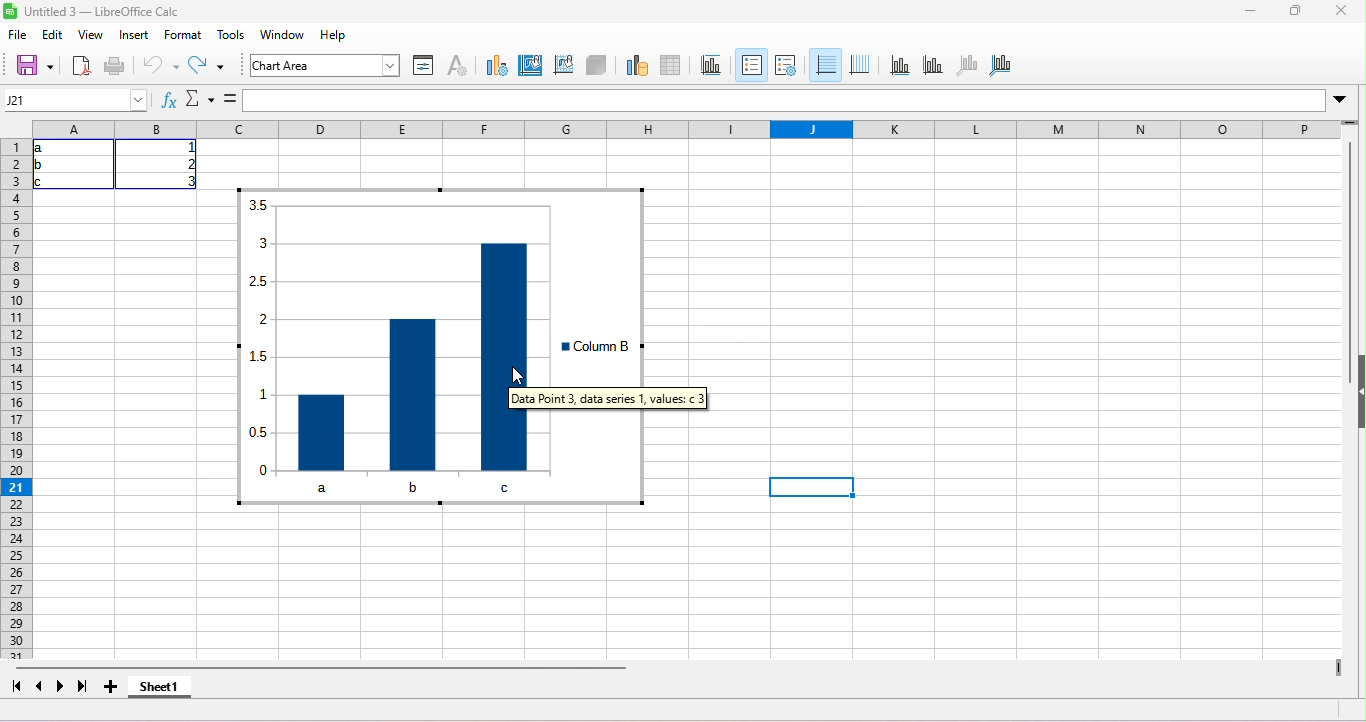  I want to click on export directly as pdf, so click(82, 67).